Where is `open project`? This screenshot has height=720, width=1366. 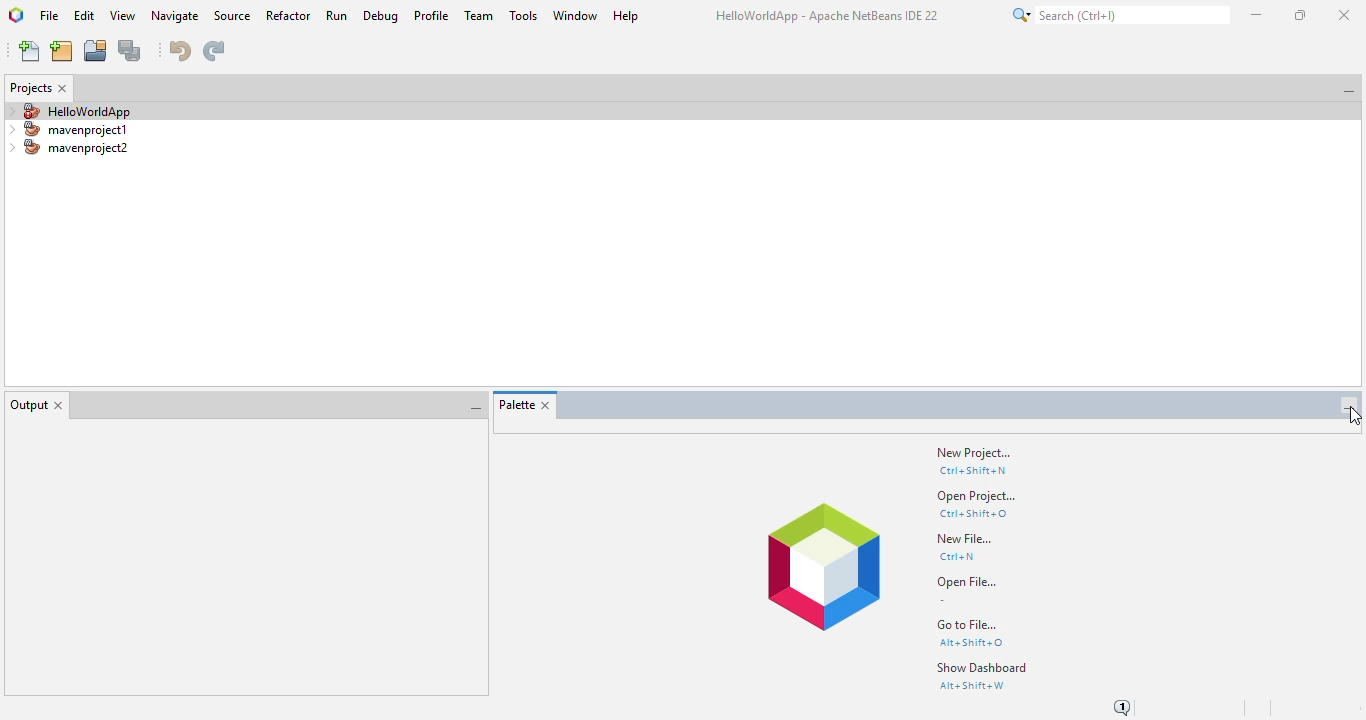 open project is located at coordinates (96, 50).